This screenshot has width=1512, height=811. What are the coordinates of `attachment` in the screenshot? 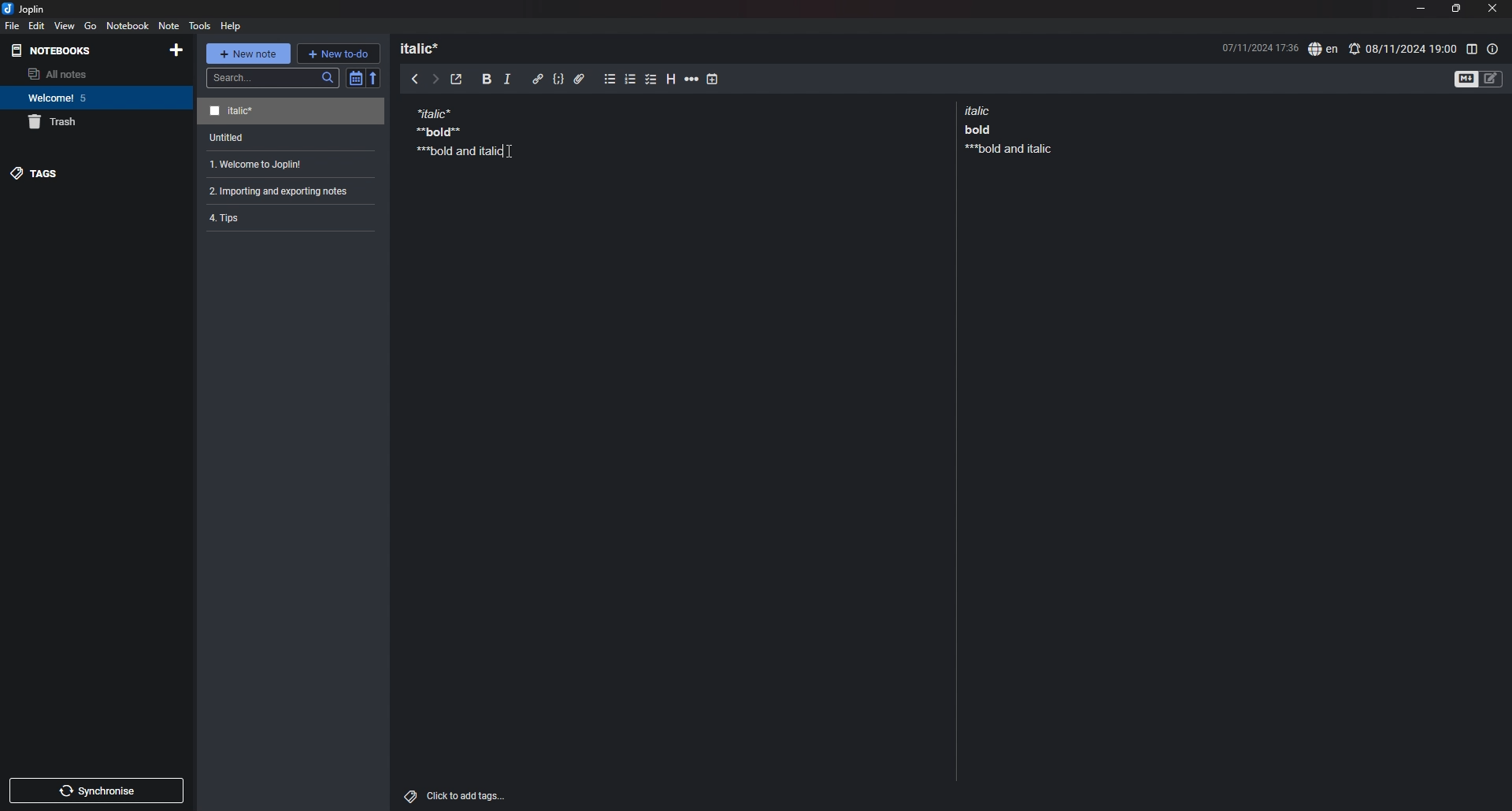 It's located at (580, 80).